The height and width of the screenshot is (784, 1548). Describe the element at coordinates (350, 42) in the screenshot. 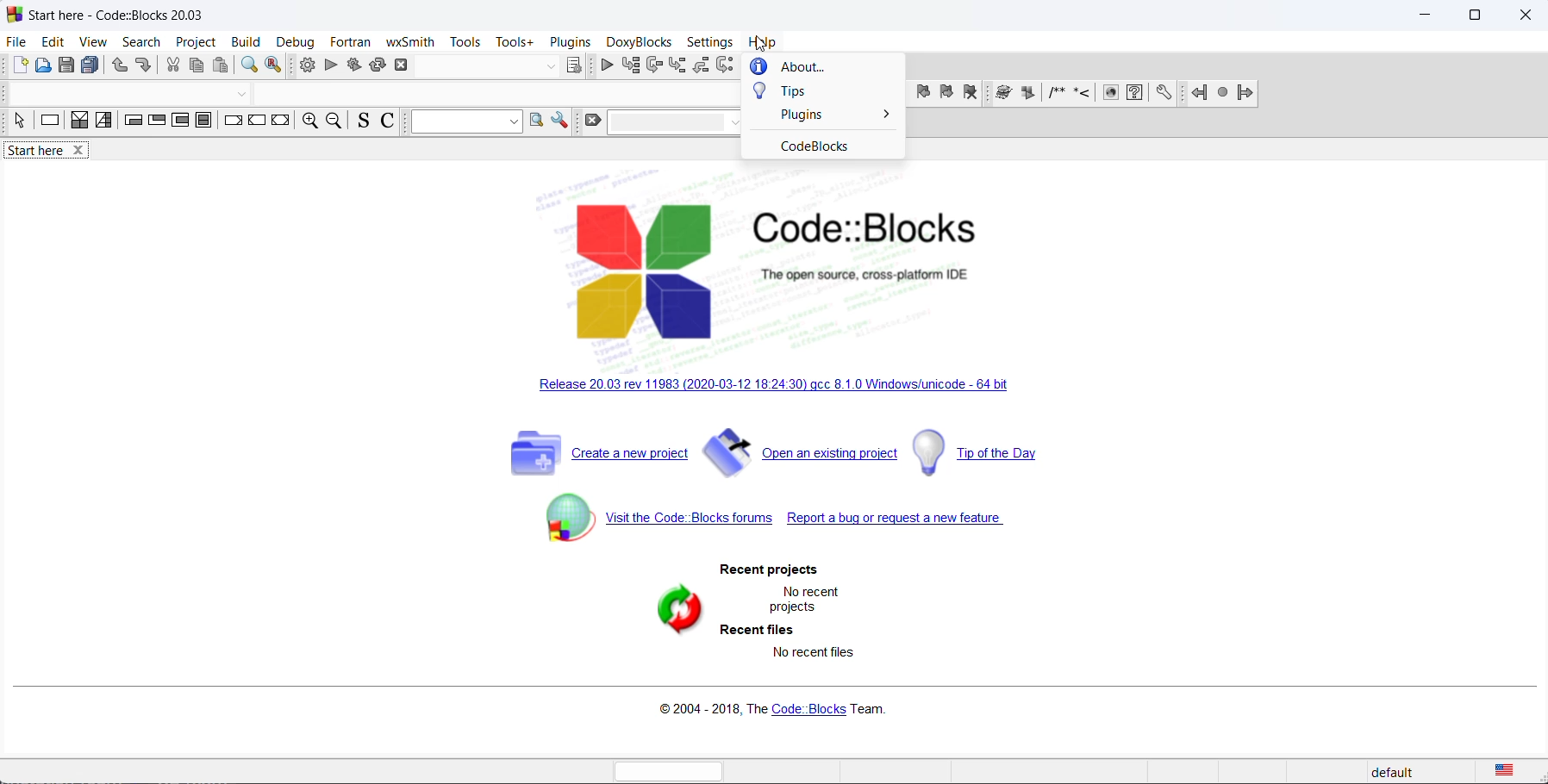

I see `fortran` at that location.